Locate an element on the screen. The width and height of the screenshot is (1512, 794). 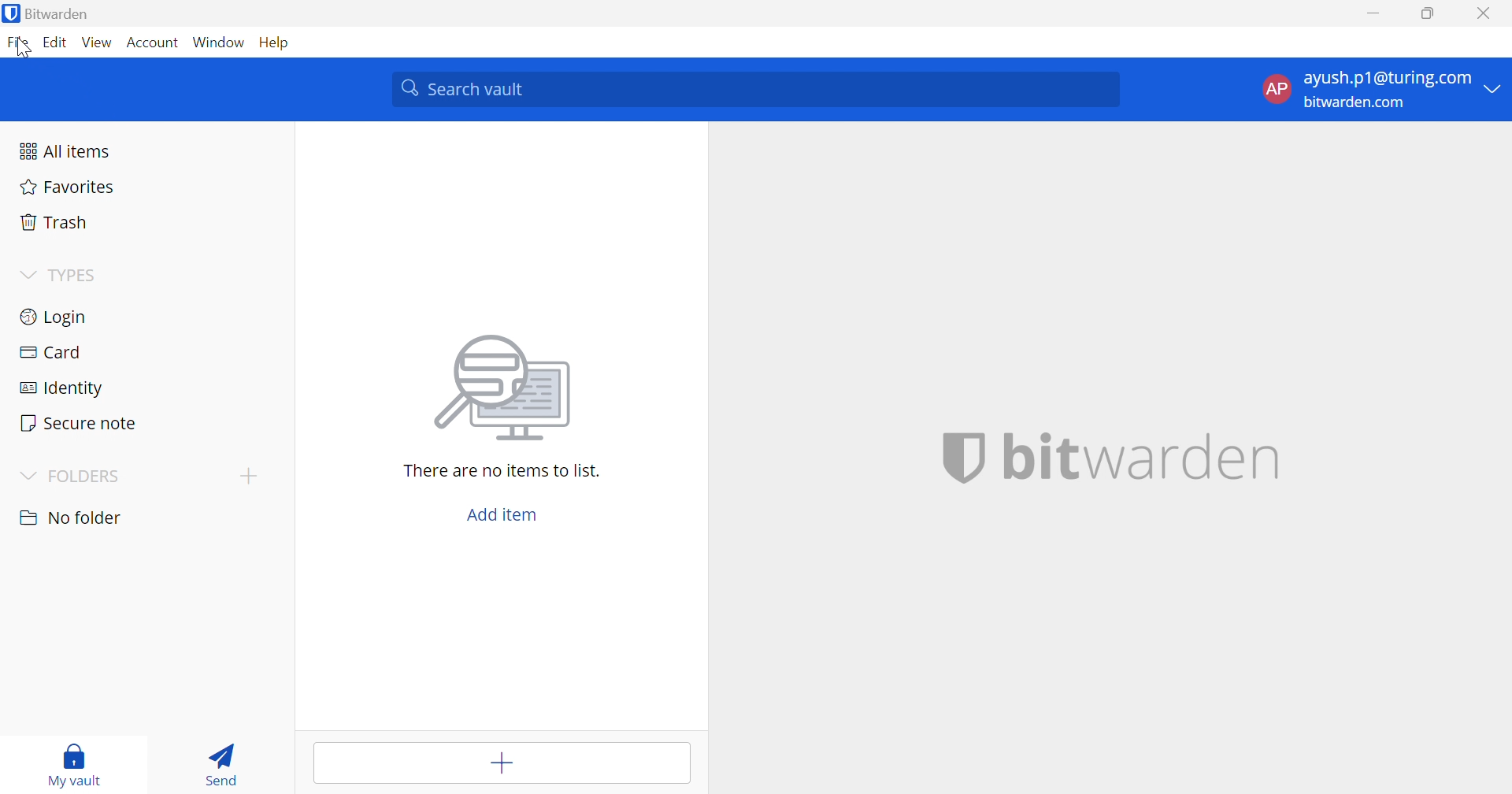
TYPES is located at coordinates (76, 275).